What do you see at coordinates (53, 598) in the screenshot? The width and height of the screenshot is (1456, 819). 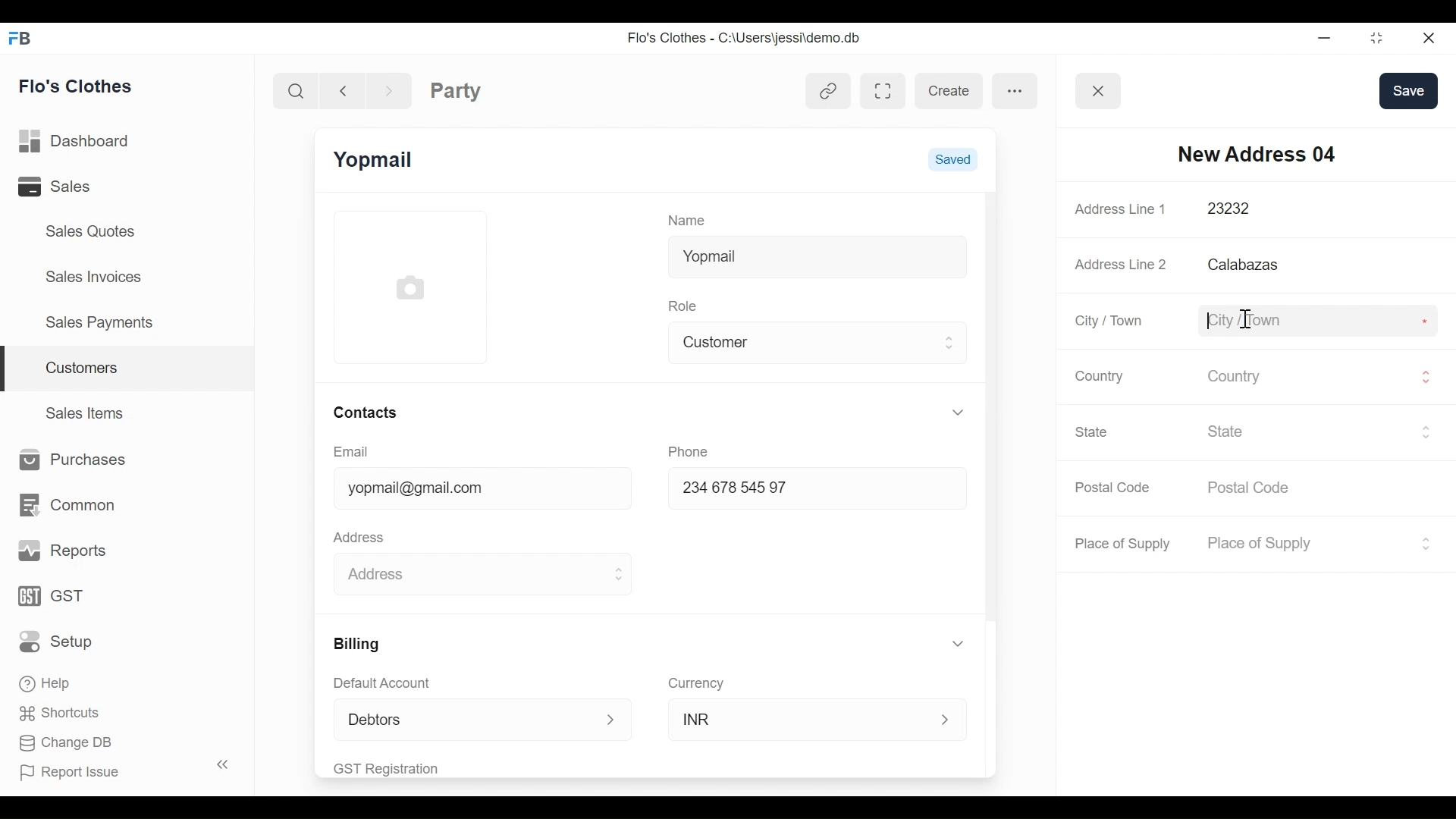 I see `GST` at bounding box center [53, 598].